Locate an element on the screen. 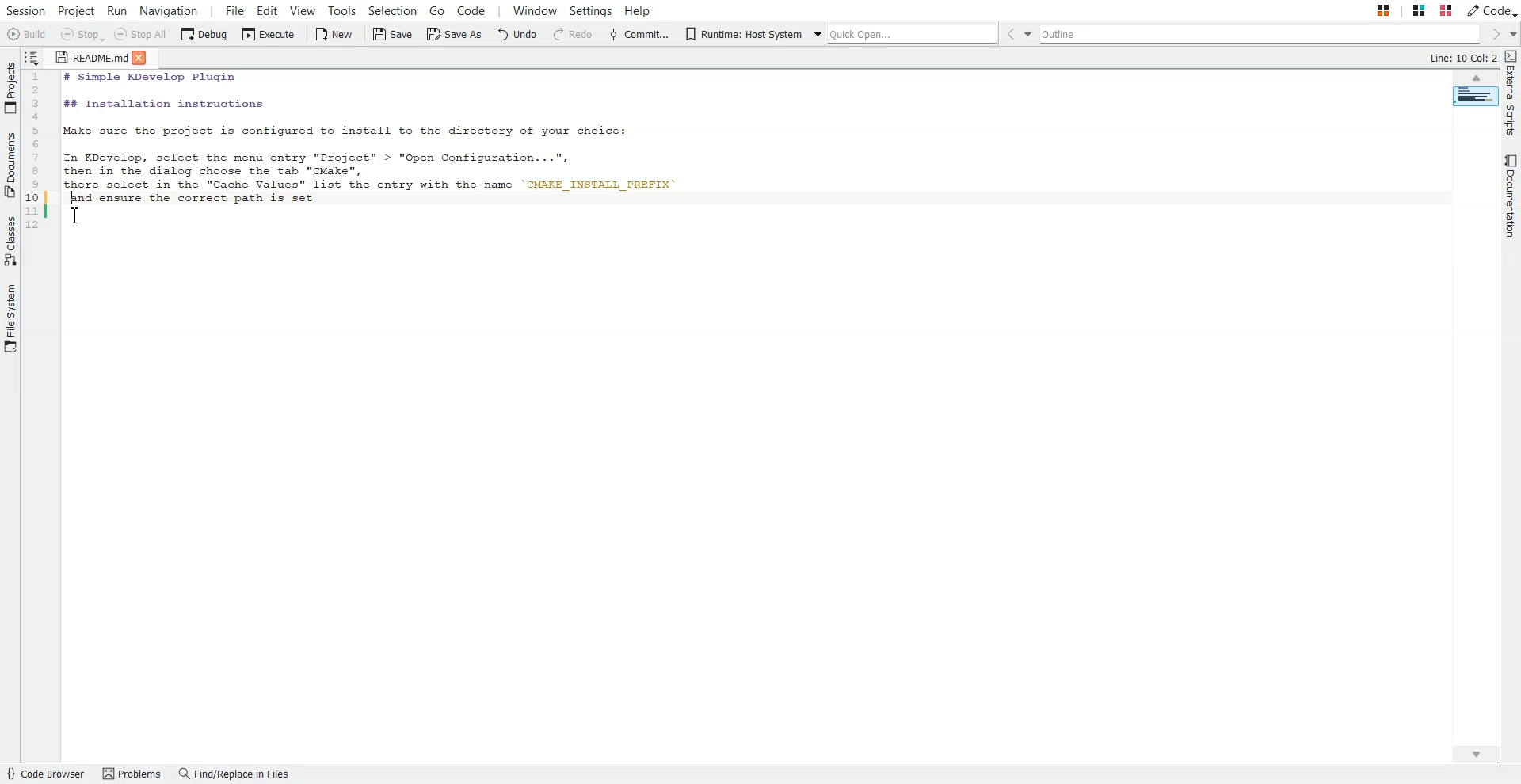 The image size is (1521, 784). README.md (file) is located at coordinates (86, 57).